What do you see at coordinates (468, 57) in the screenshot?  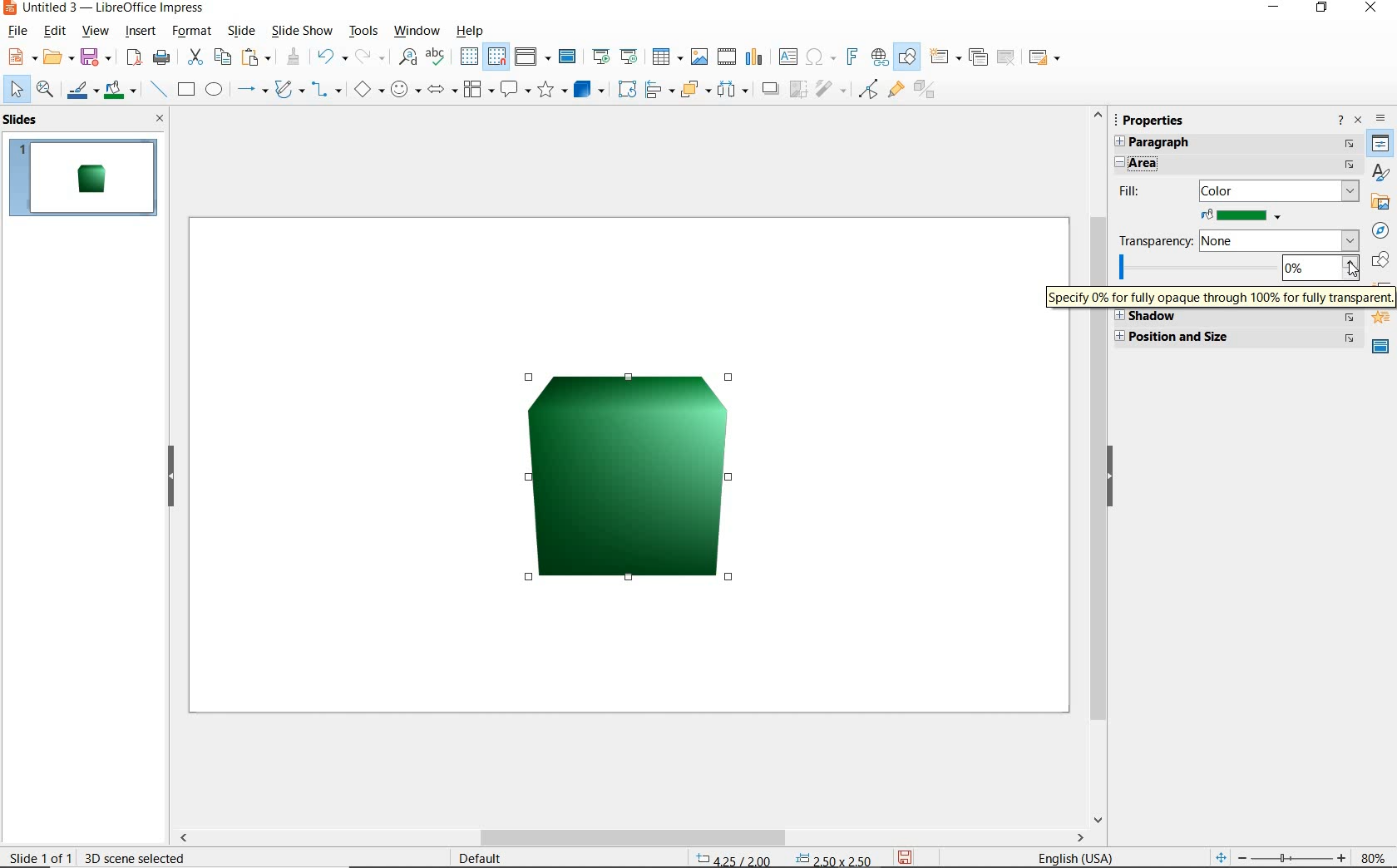 I see `display grid` at bounding box center [468, 57].